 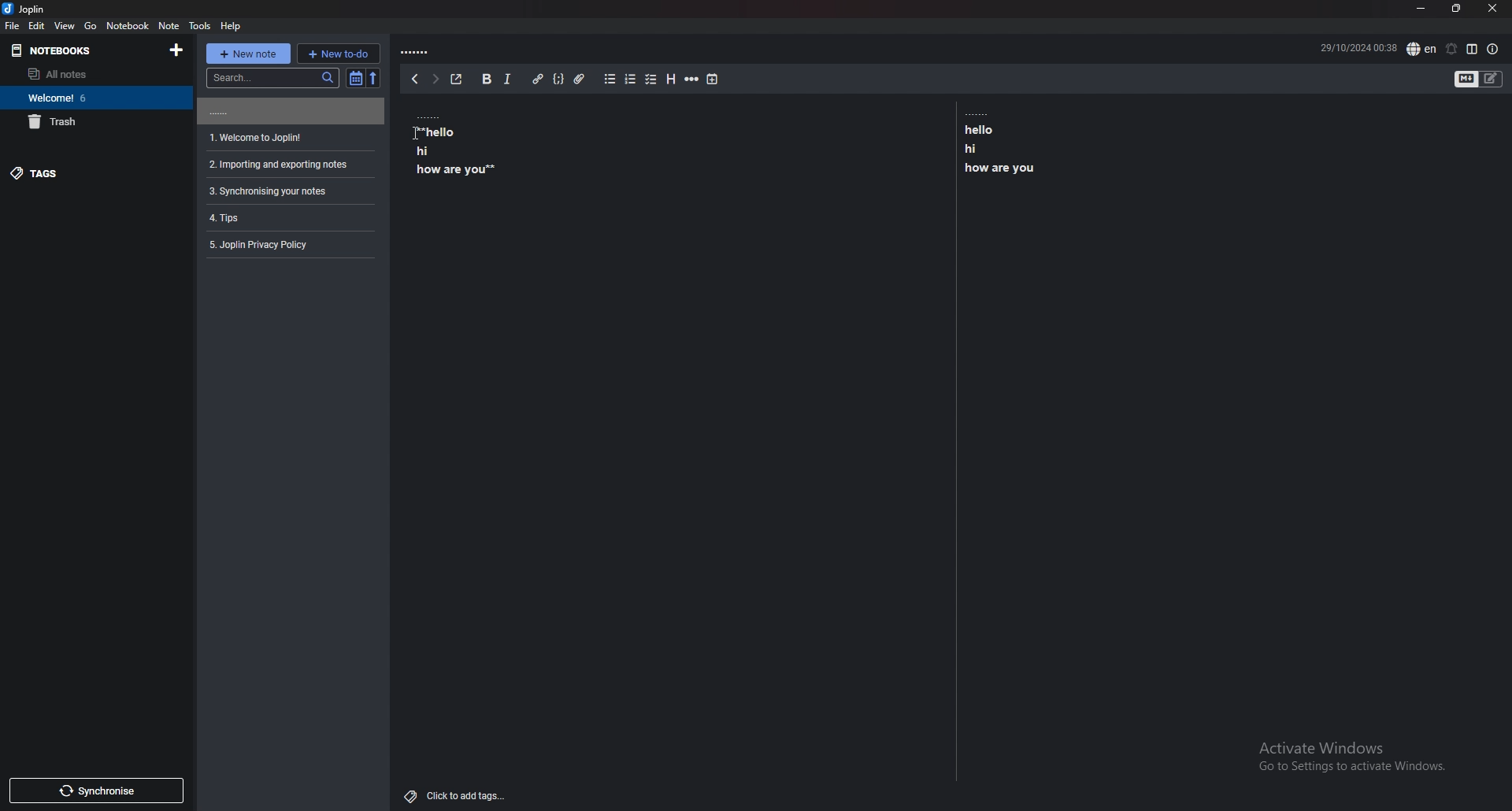 I want to click on bulleted list, so click(x=610, y=80).